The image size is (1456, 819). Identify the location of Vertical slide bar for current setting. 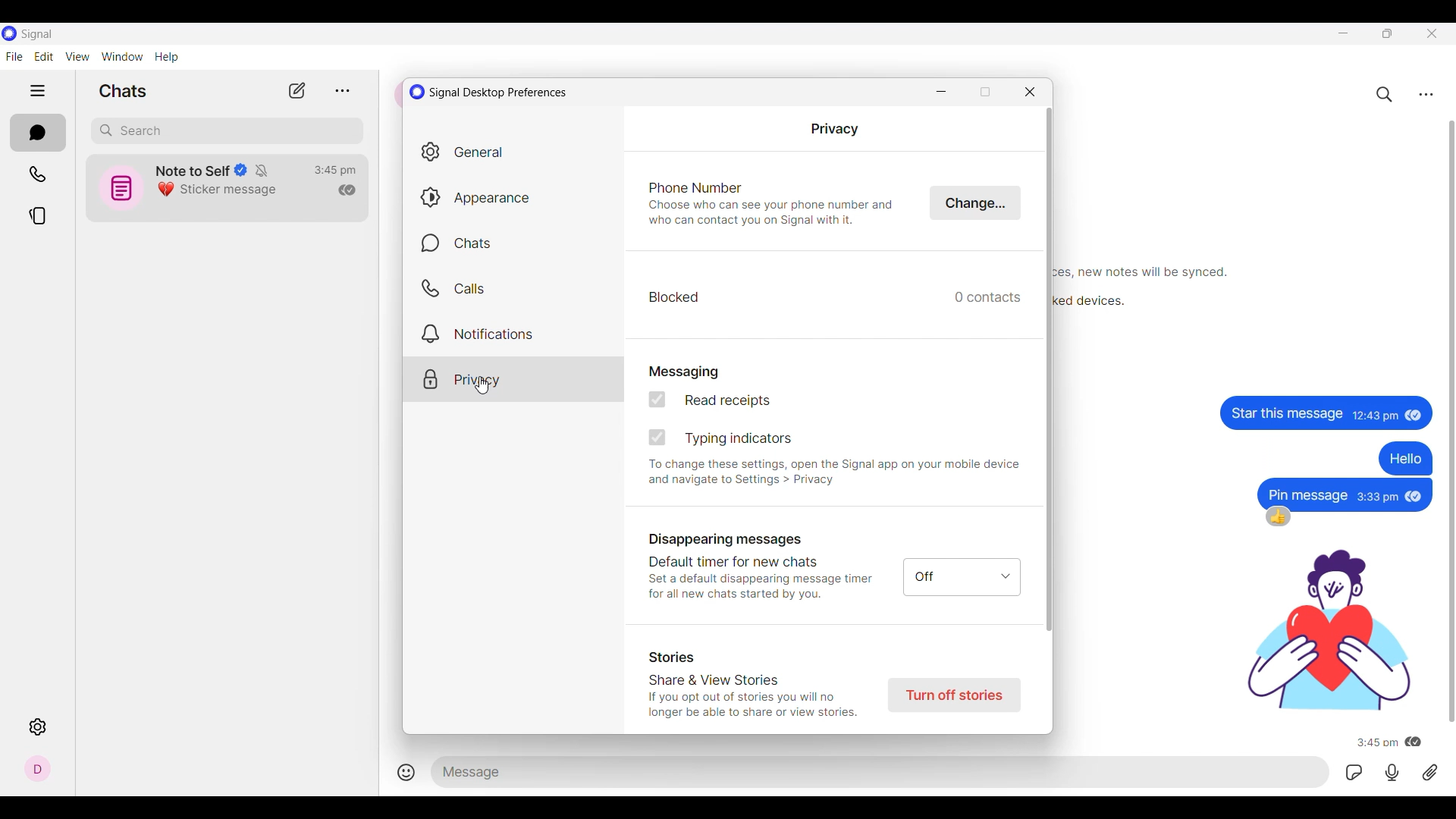
(1050, 370).